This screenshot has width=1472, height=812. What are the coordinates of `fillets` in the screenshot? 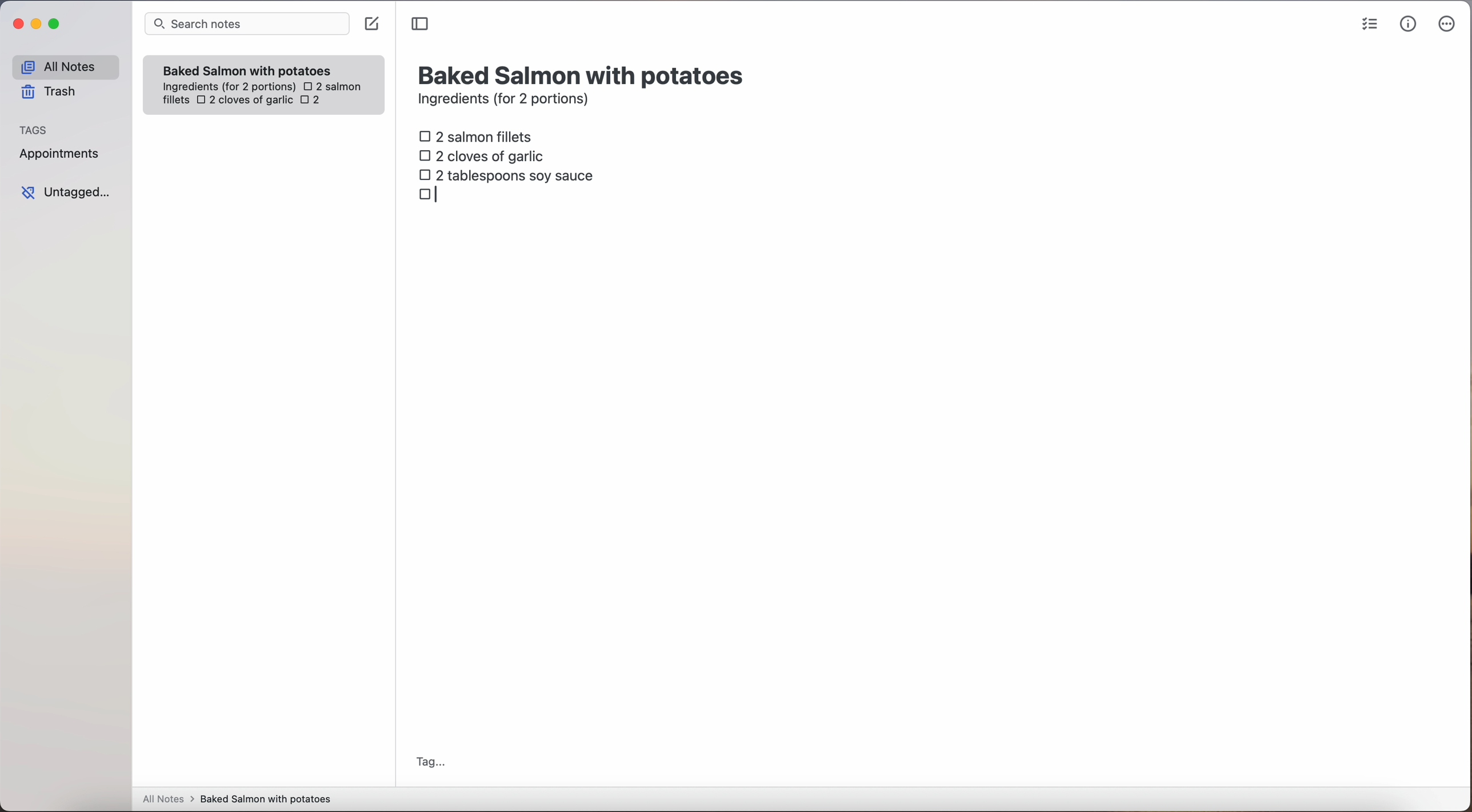 It's located at (177, 101).